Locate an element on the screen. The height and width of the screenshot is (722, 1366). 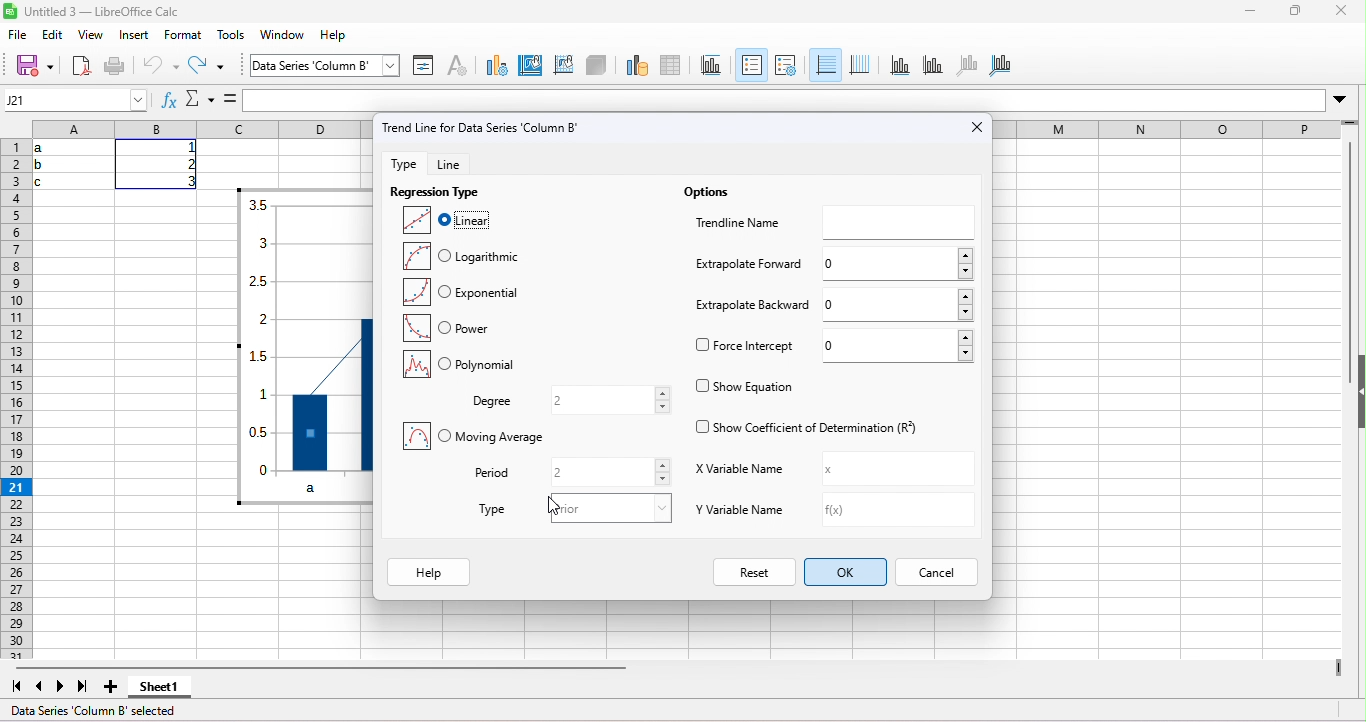
extrapolate foward is located at coordinates (743, 266).